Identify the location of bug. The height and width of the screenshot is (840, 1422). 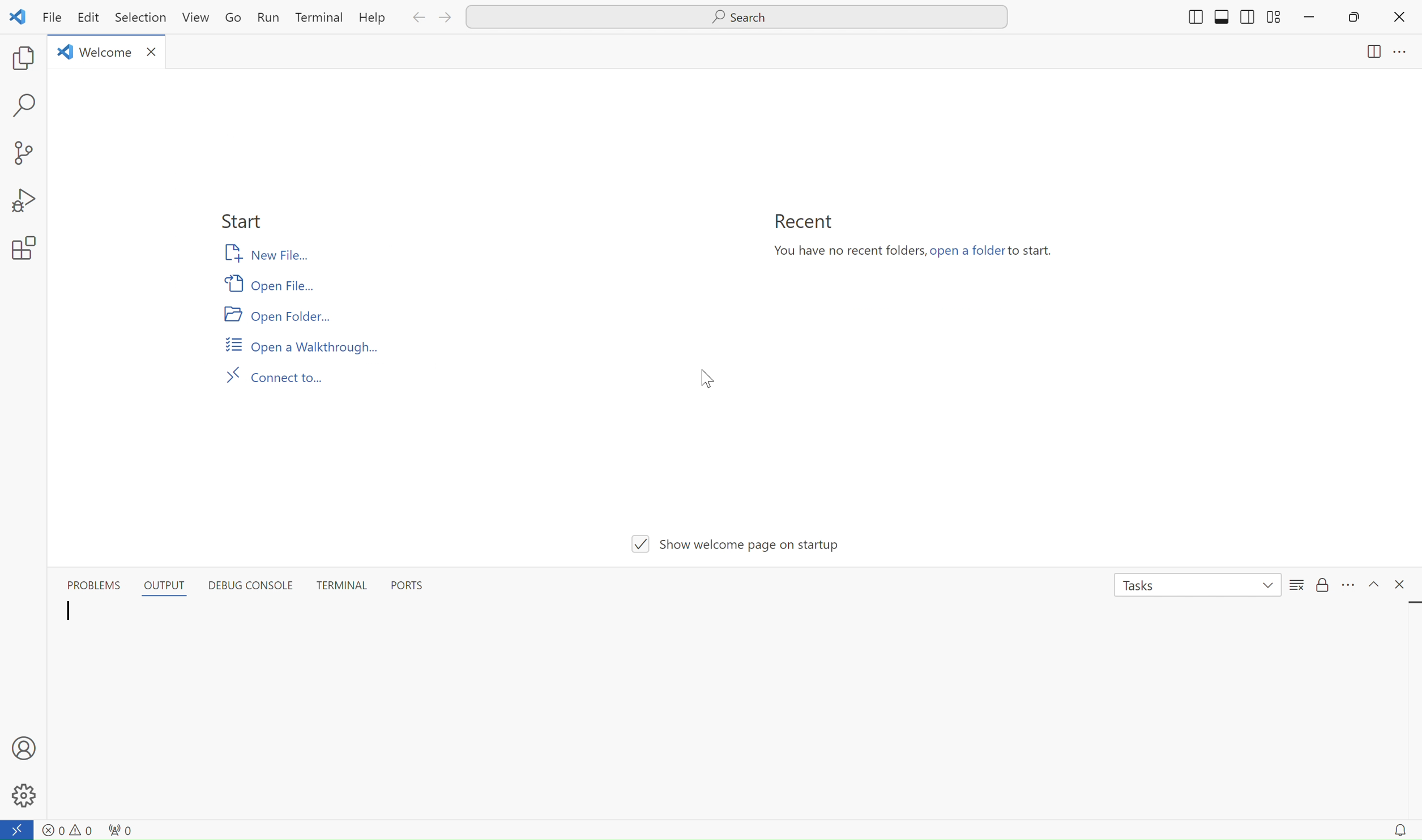
(24, 198).